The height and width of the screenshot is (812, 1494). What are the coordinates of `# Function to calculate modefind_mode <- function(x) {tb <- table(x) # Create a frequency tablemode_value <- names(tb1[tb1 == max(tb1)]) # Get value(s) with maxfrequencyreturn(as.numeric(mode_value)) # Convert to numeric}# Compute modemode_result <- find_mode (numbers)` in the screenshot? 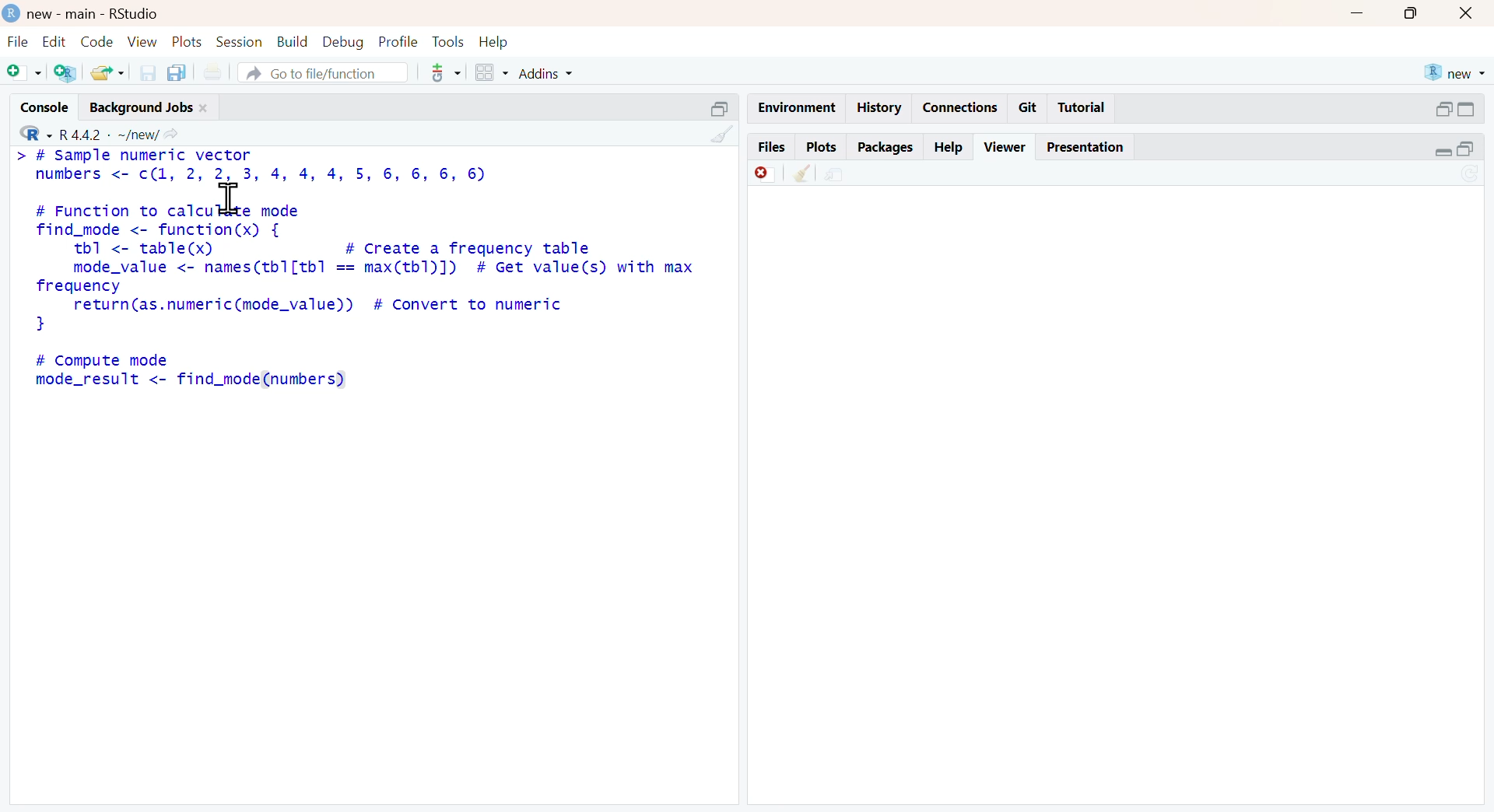 It's located at (359, 299).